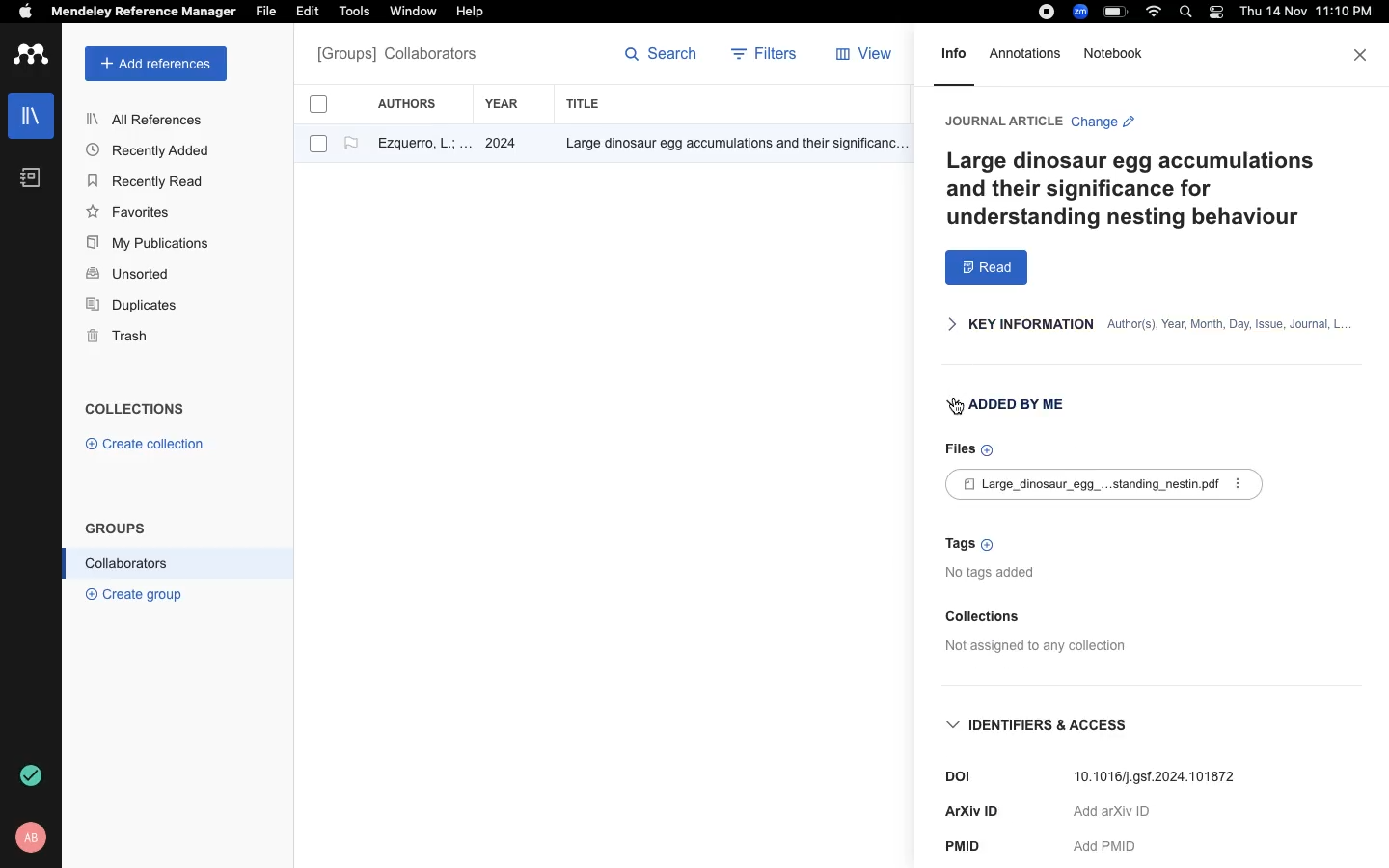 The width and height of the screenshot is (1389, 868). What do you see at coordinates (133, 306) in the screenshot?
I see `Duplicates` at bounding box center [133, 306].